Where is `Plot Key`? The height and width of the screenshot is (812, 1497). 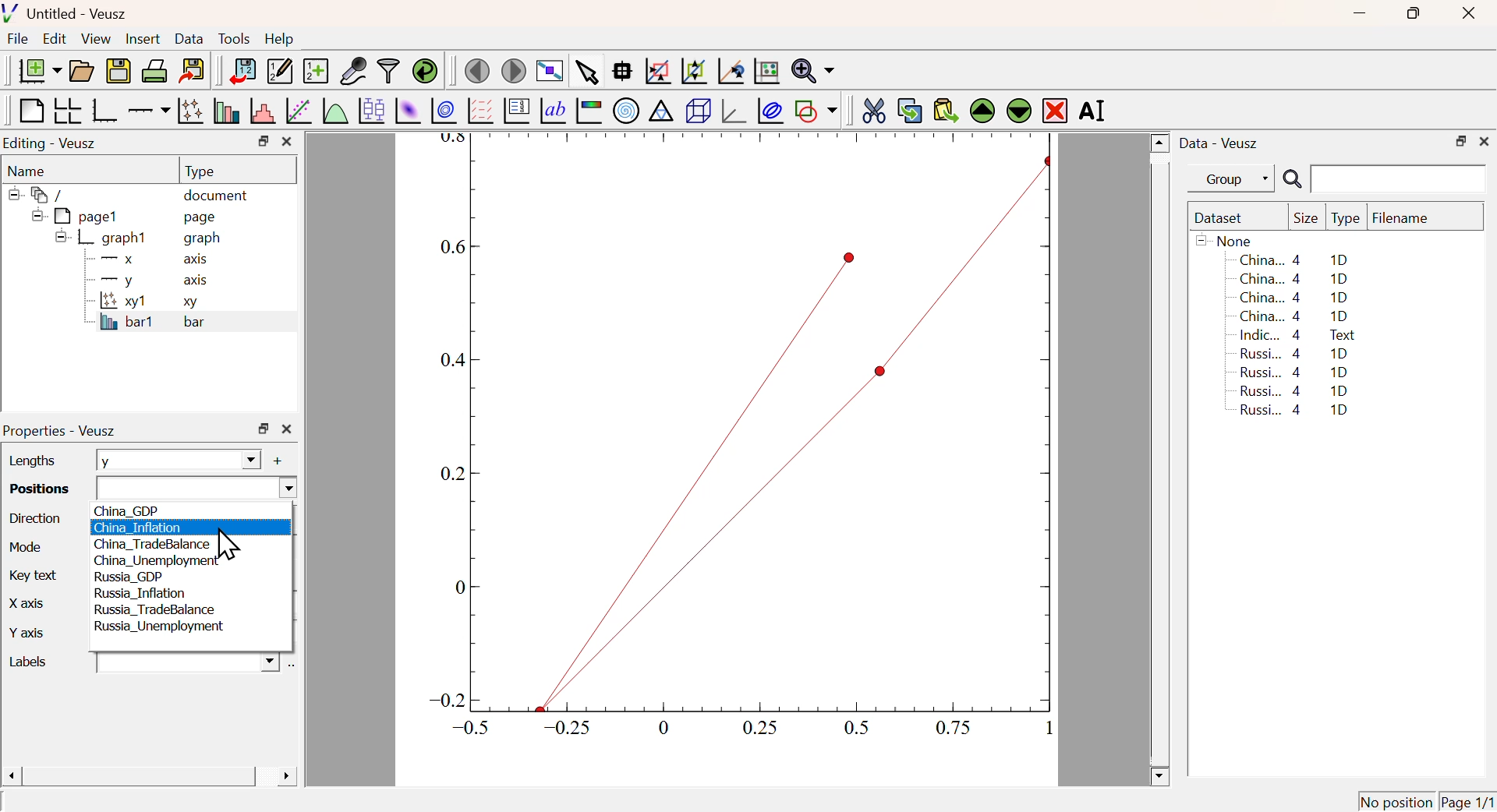 Plot Key is located at coordinates (515, 110).